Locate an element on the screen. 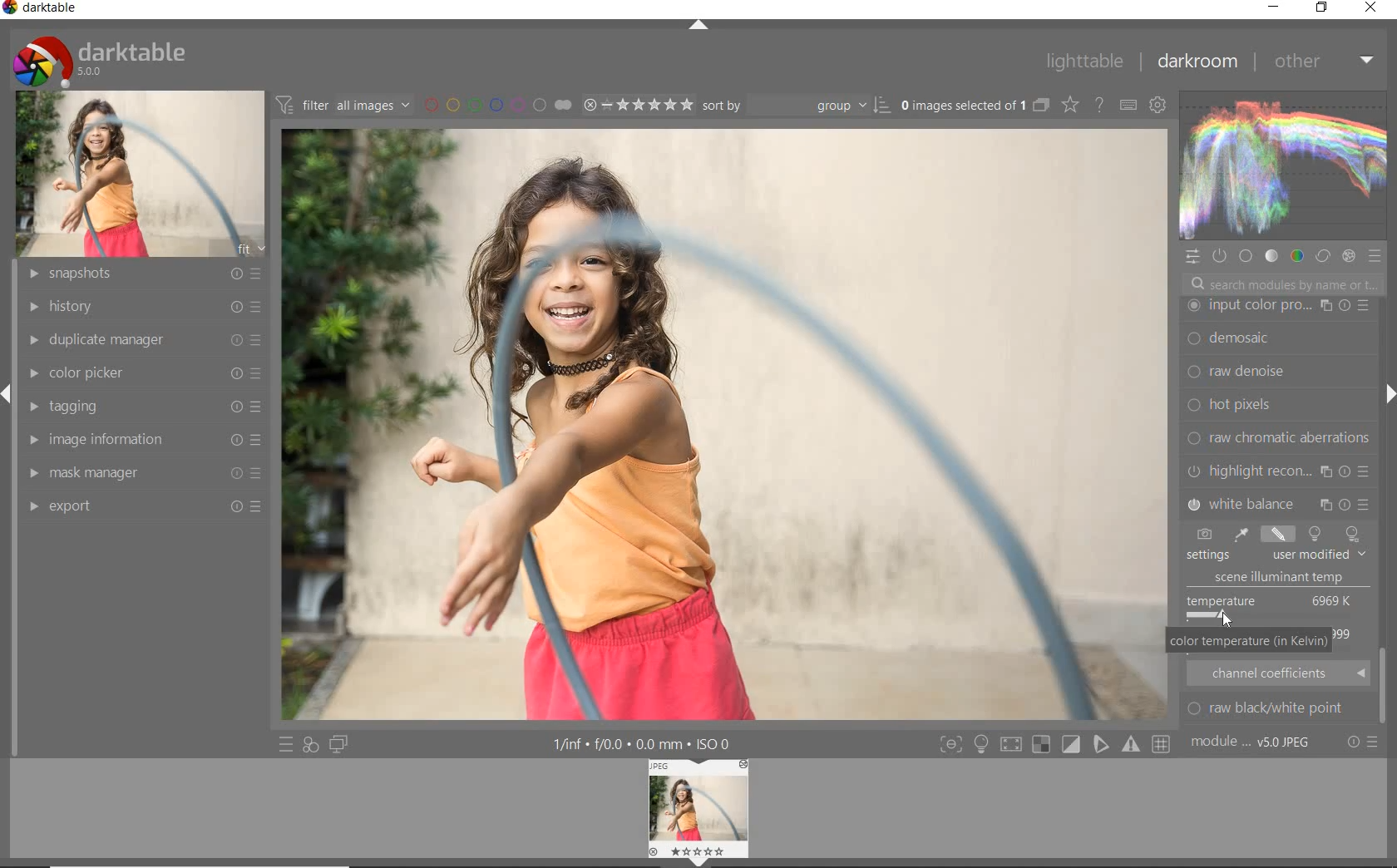  COLOR TEMPERATURE (IN kELVIN) is located at coordinates (1248, 643).